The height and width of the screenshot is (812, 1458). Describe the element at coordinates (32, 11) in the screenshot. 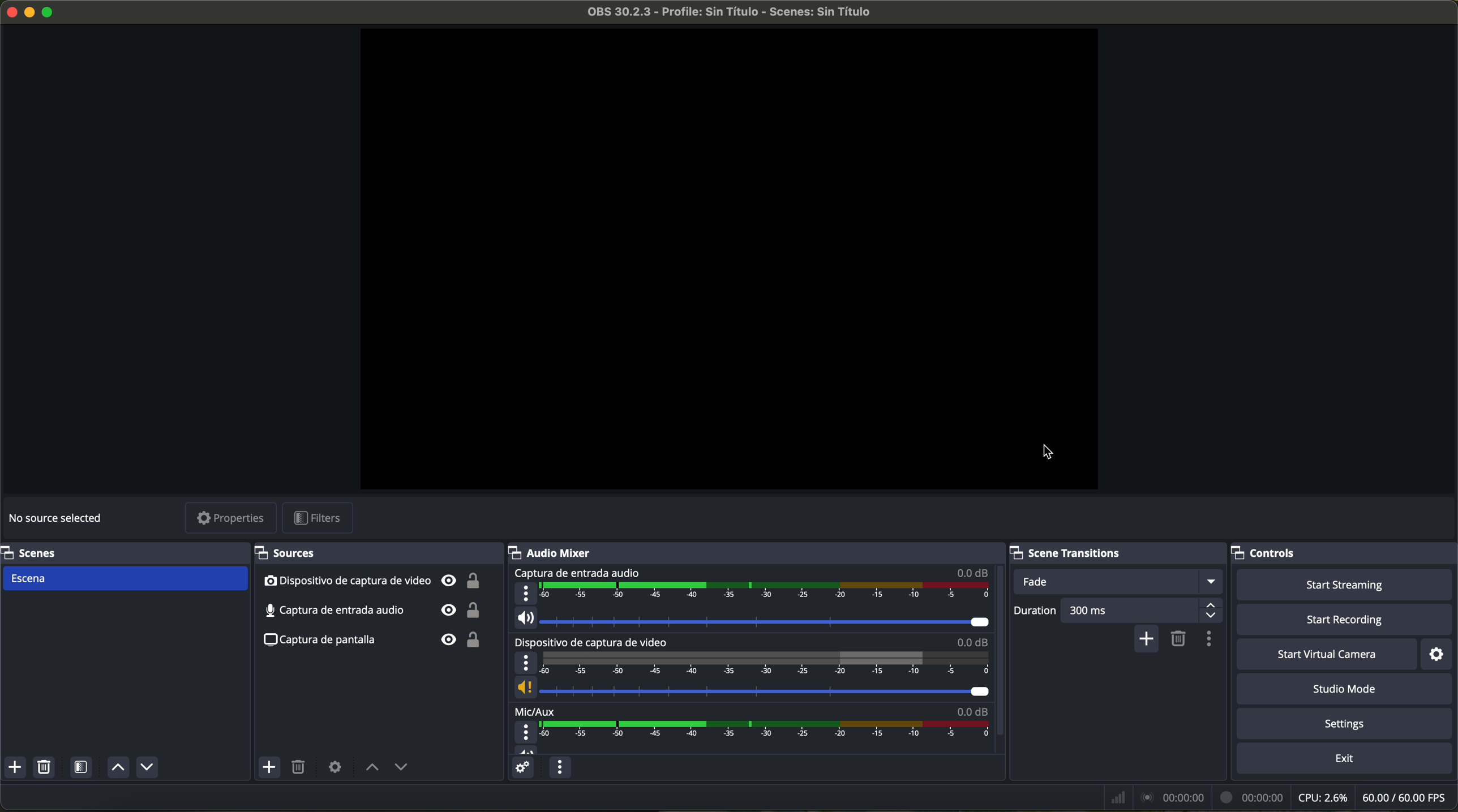

I see `minimize OBS Studio` at that location.